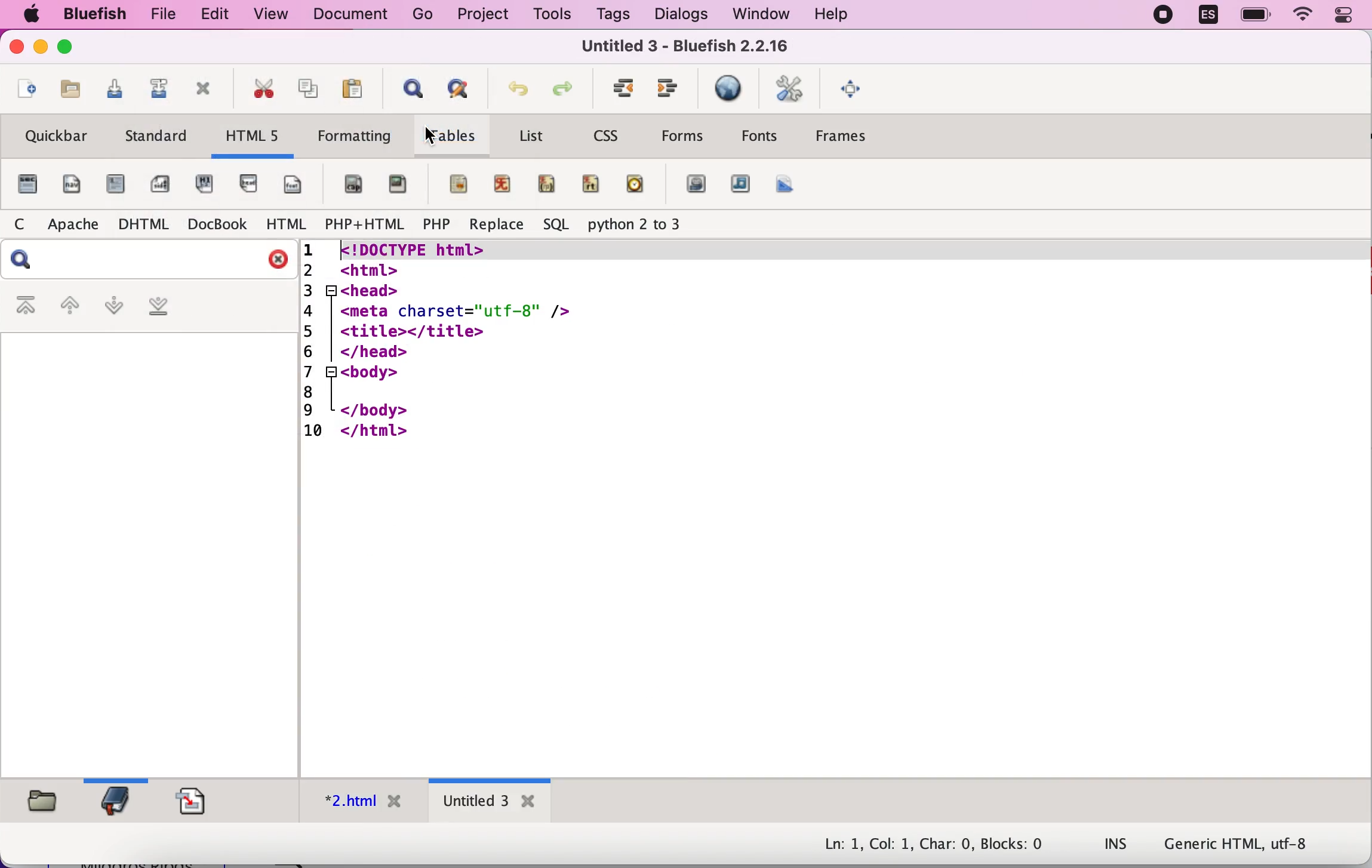  I want to click on dhtml, so click(140, 224).